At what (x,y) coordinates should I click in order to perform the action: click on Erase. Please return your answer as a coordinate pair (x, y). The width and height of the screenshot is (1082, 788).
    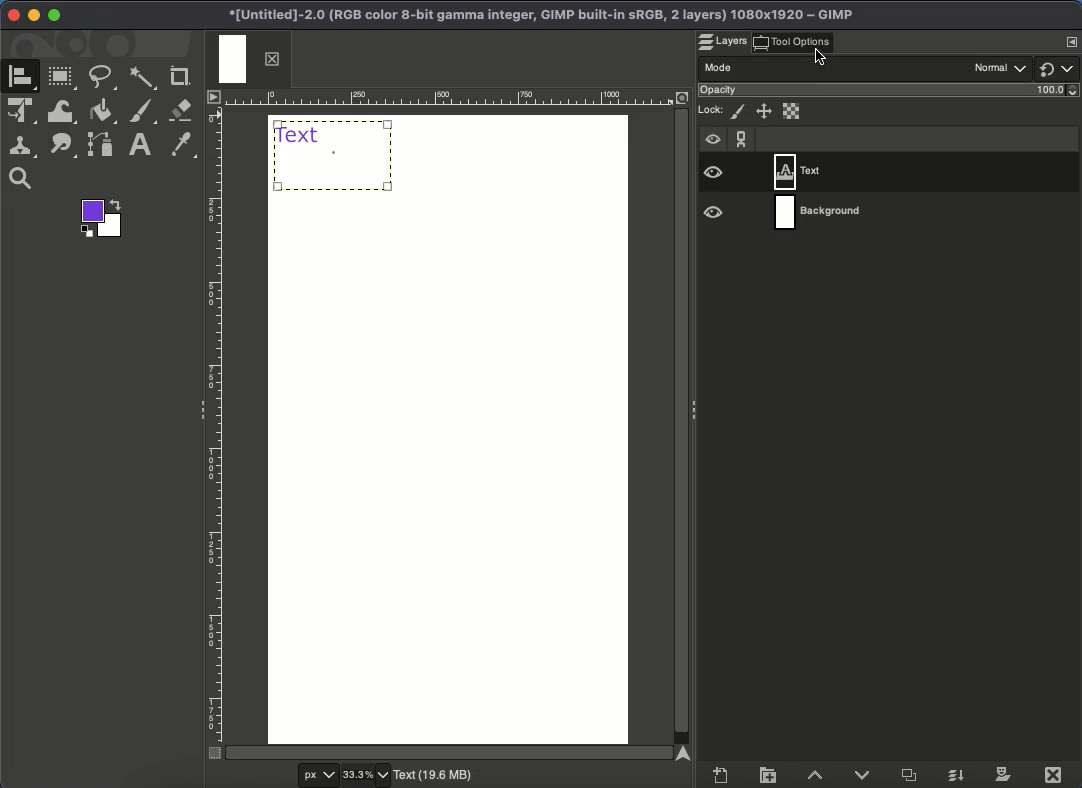
    Looking at the image, I should click on (183, 110).